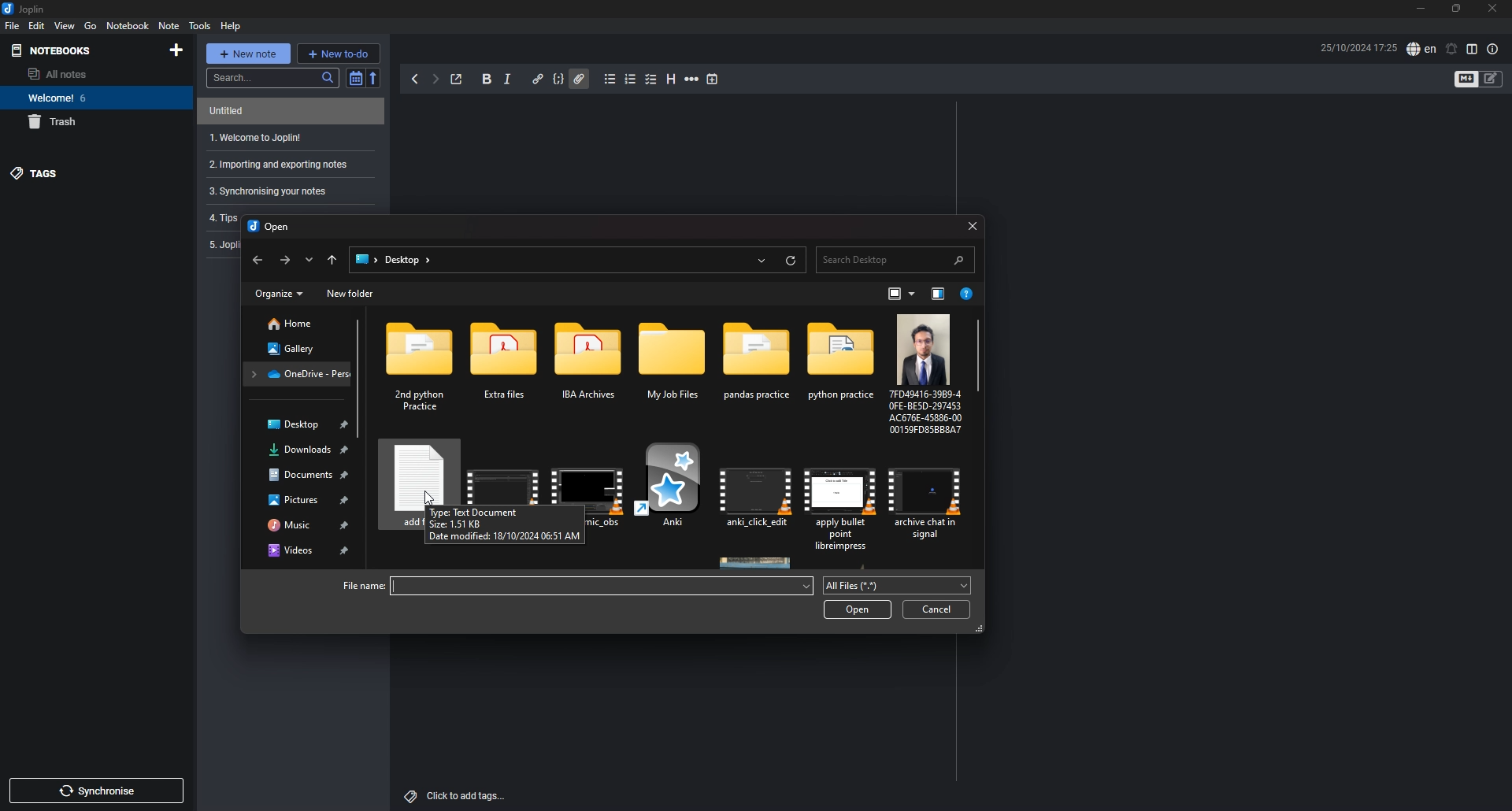 This screenshot has height=811, width=1512. What do you see at coordinates (65, 25) in the screenshot?
I see `view` at bounding box center [65, 25].